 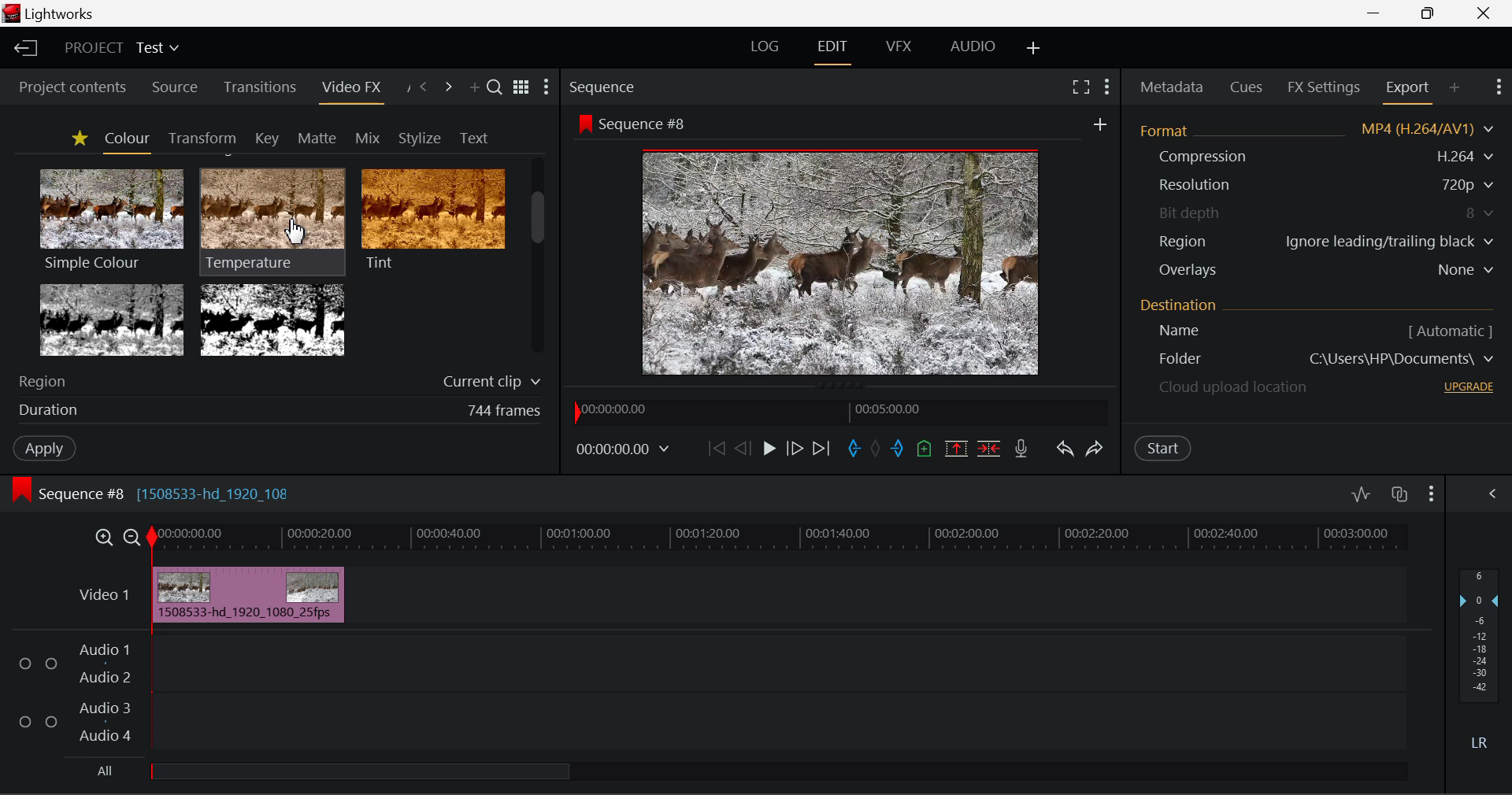 I want to click on Remove marked section, so click(x=954, y=449).